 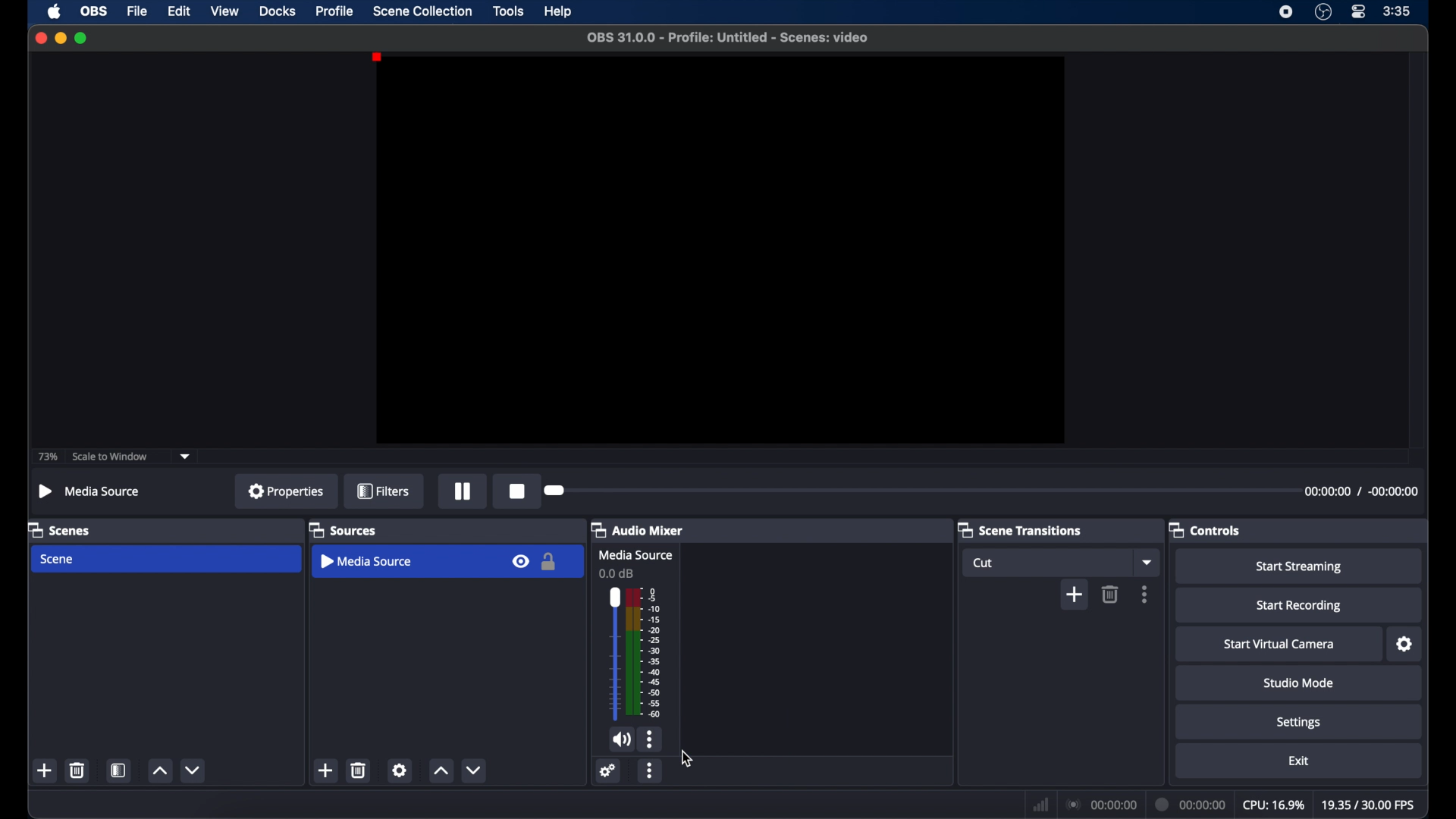 What do you see at coordinates (608, 770) in the screenshot?
I see `settings` at bounding box center [608, 770].